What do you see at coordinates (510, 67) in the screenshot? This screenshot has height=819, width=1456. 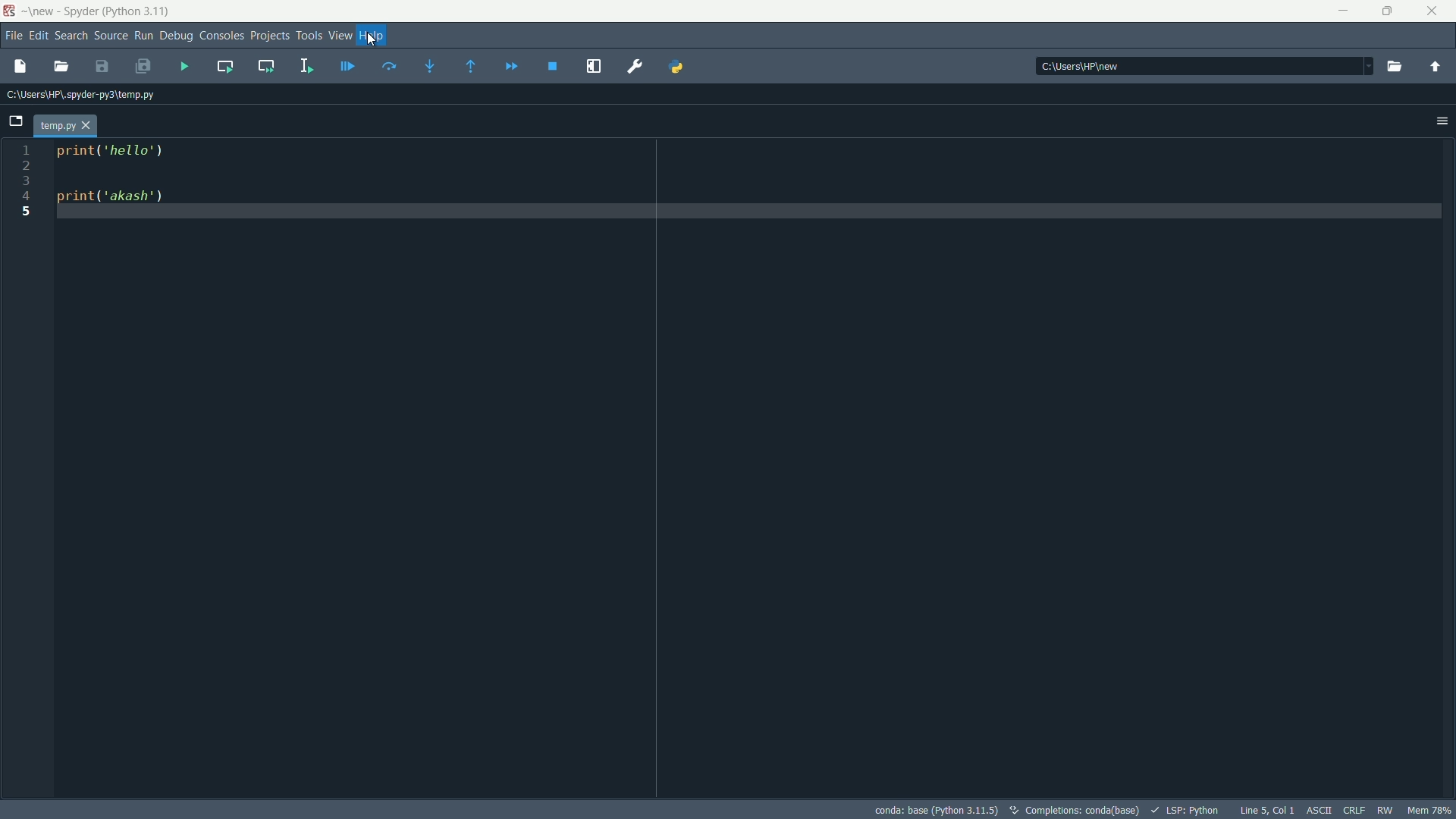 I see `continue execution until next breakpoint` at bounding box center [510, 67].